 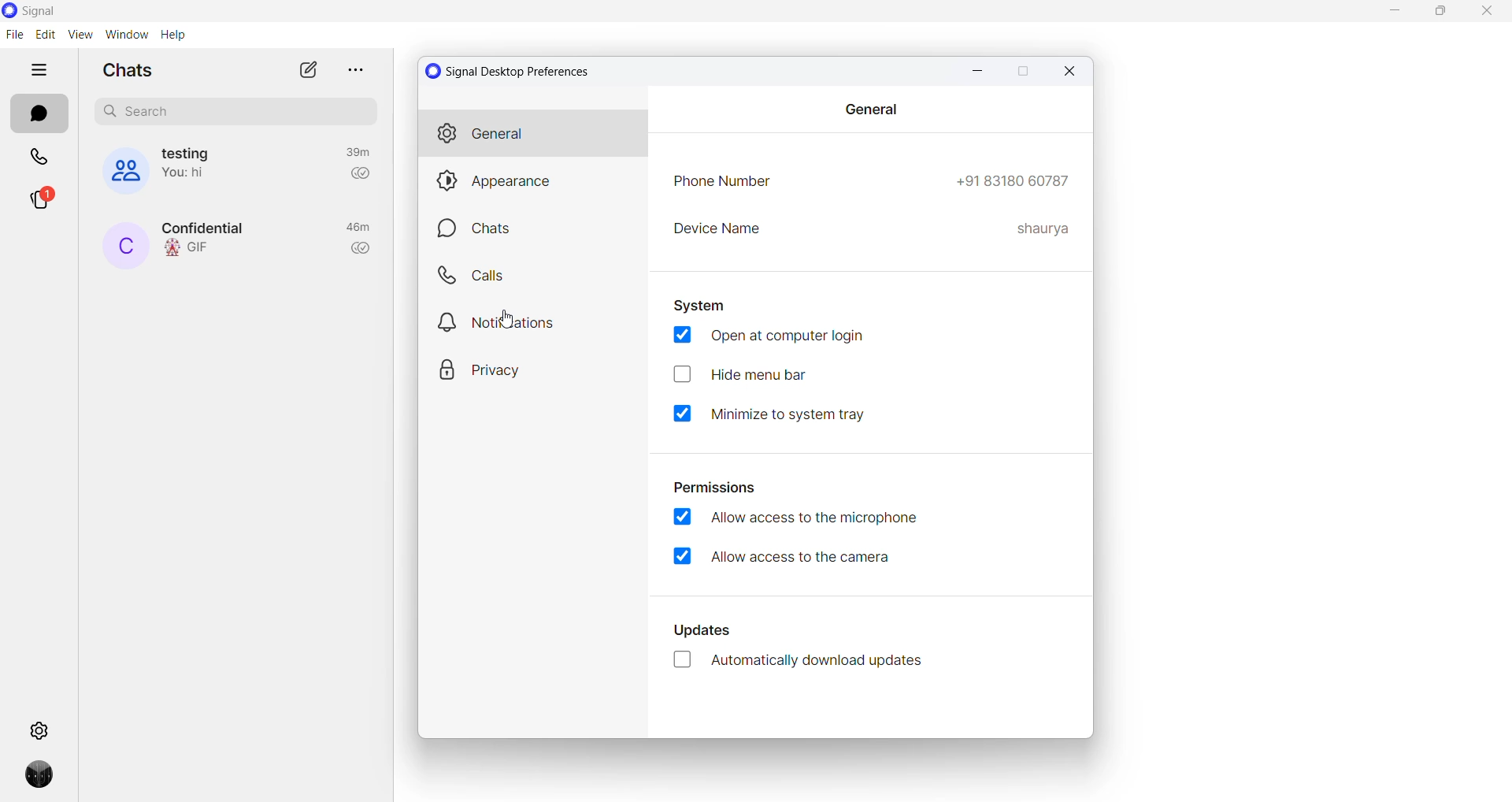 I want to click on minimize, so click(x=1388, y=12).